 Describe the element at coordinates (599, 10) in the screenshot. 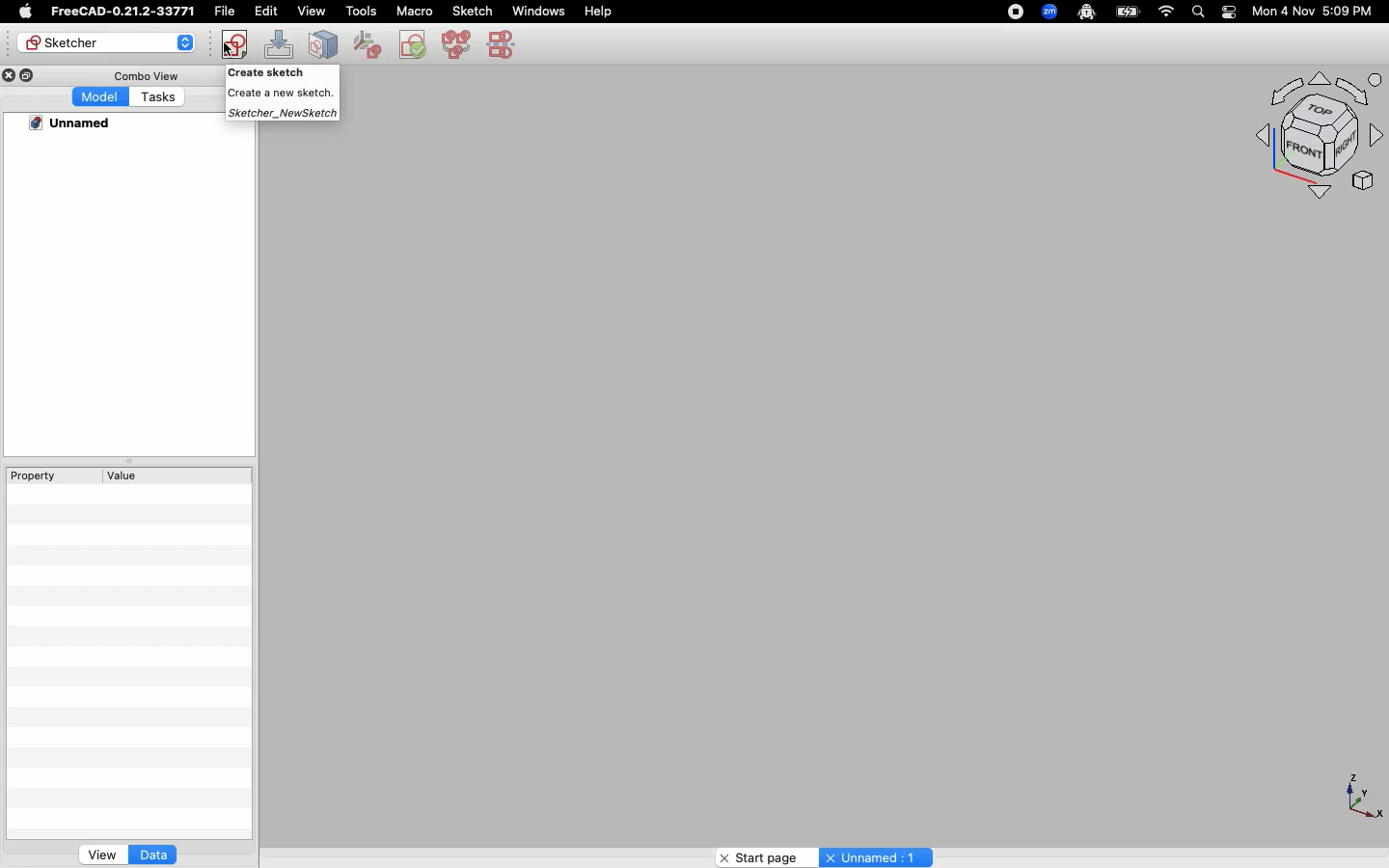

I see `Help` at that location.